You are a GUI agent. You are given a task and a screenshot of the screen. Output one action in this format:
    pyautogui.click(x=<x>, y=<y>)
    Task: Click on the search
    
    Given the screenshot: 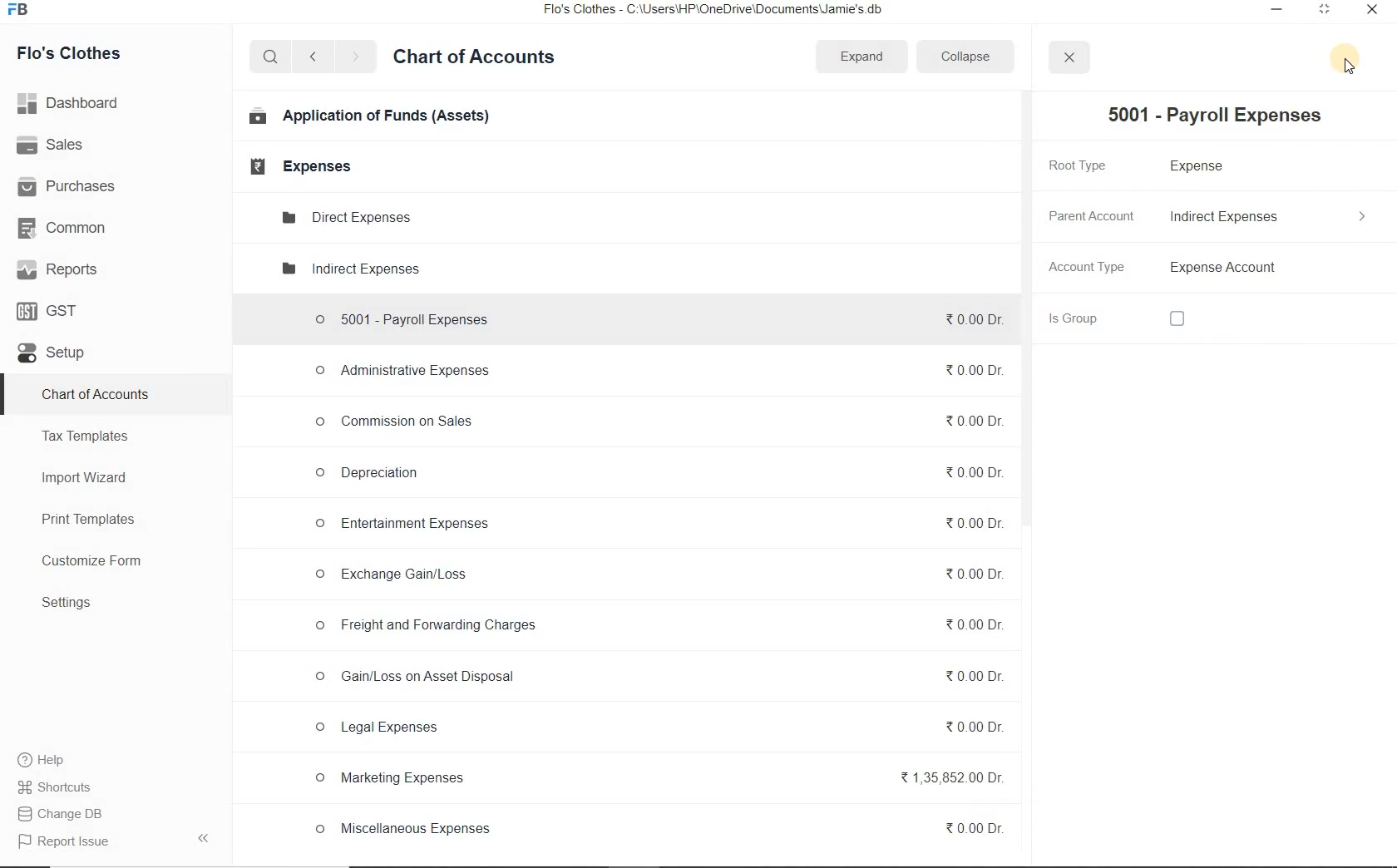 What is the action you would take?
    pyautogui.click(x=268, y=57)
    